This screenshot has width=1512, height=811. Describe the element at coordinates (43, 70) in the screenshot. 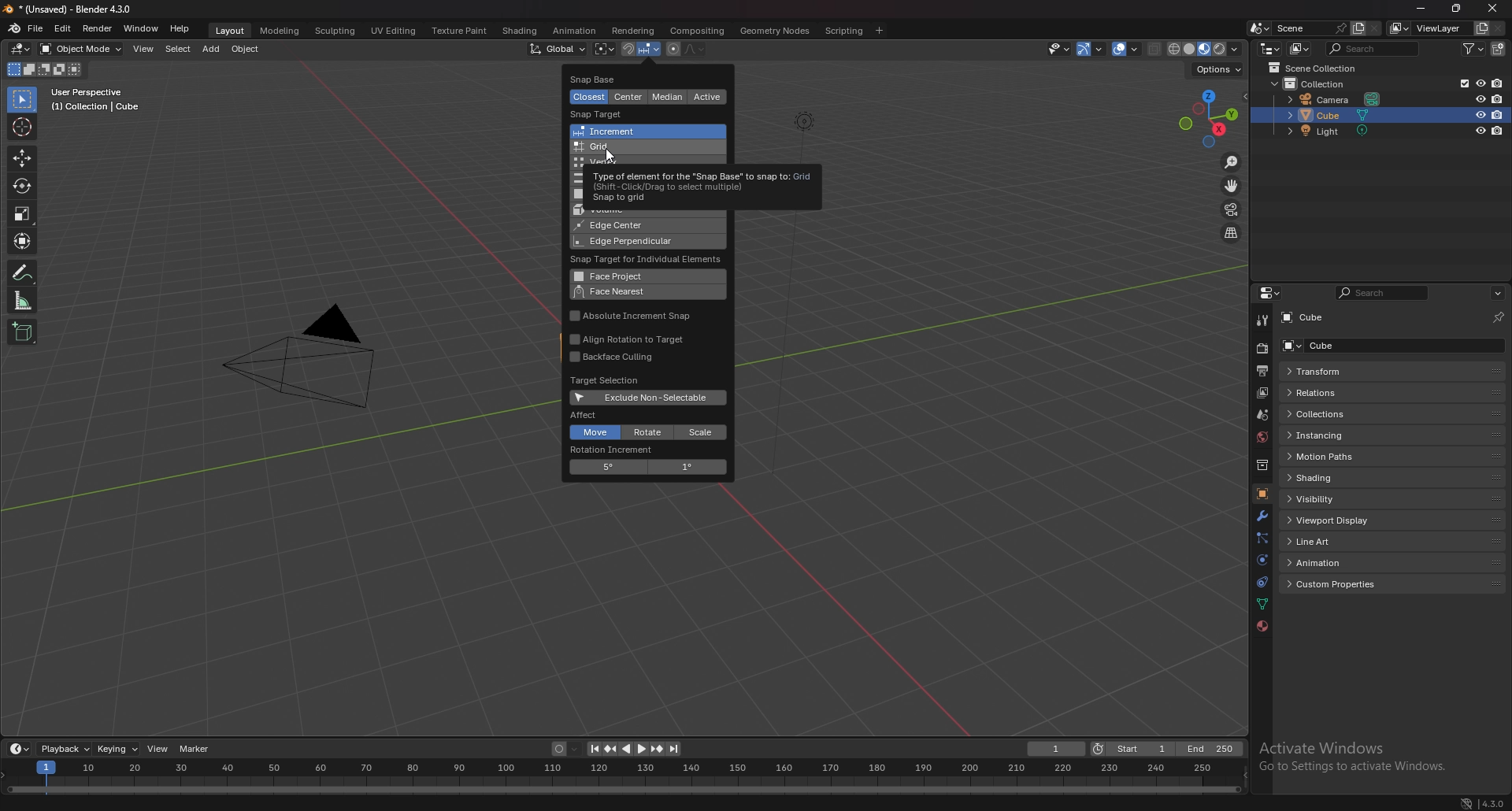

I see `mode` at that location.